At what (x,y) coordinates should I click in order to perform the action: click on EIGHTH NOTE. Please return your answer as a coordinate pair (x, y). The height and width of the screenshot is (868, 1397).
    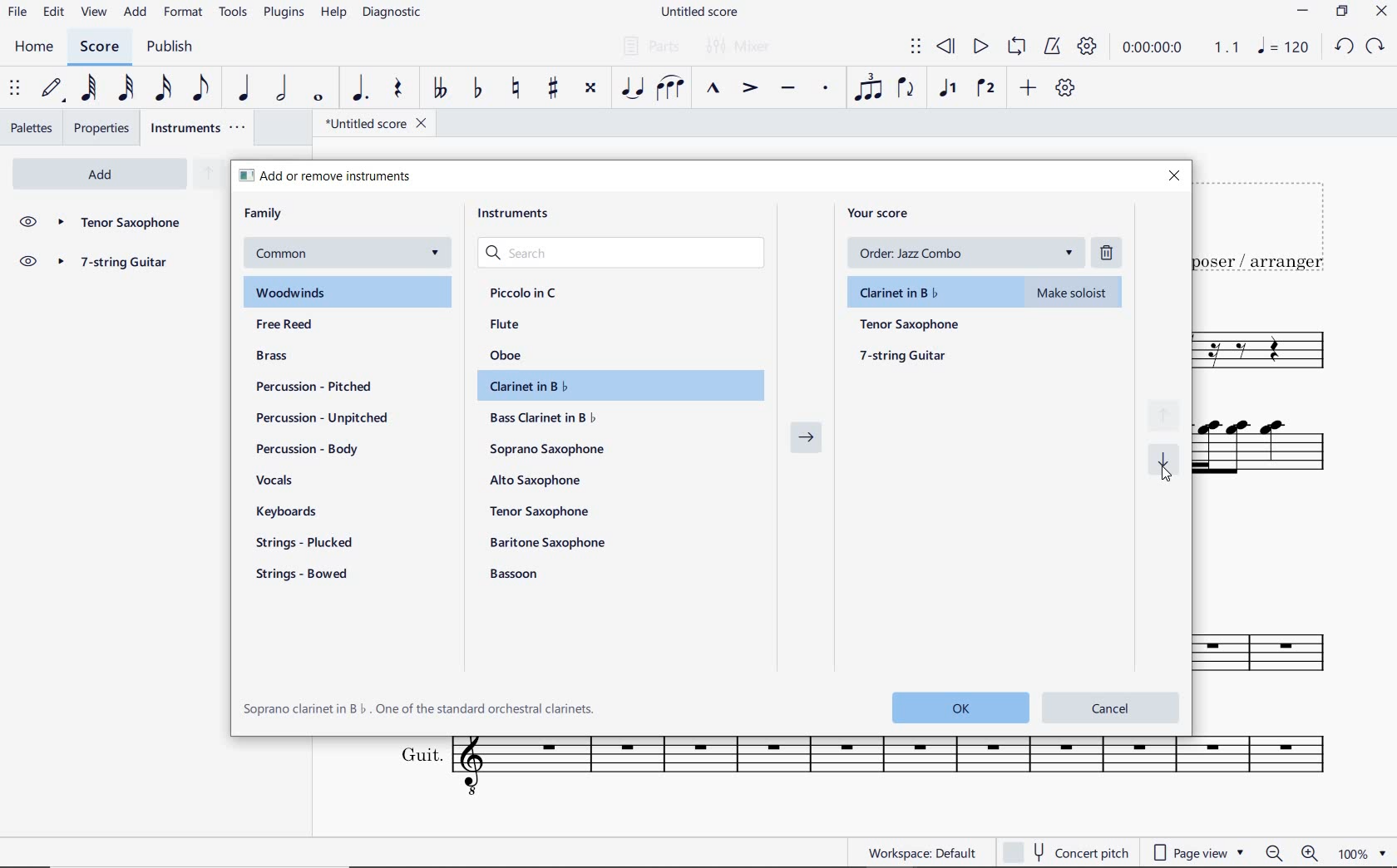
    Looking at the image, I should click on (202, 86).